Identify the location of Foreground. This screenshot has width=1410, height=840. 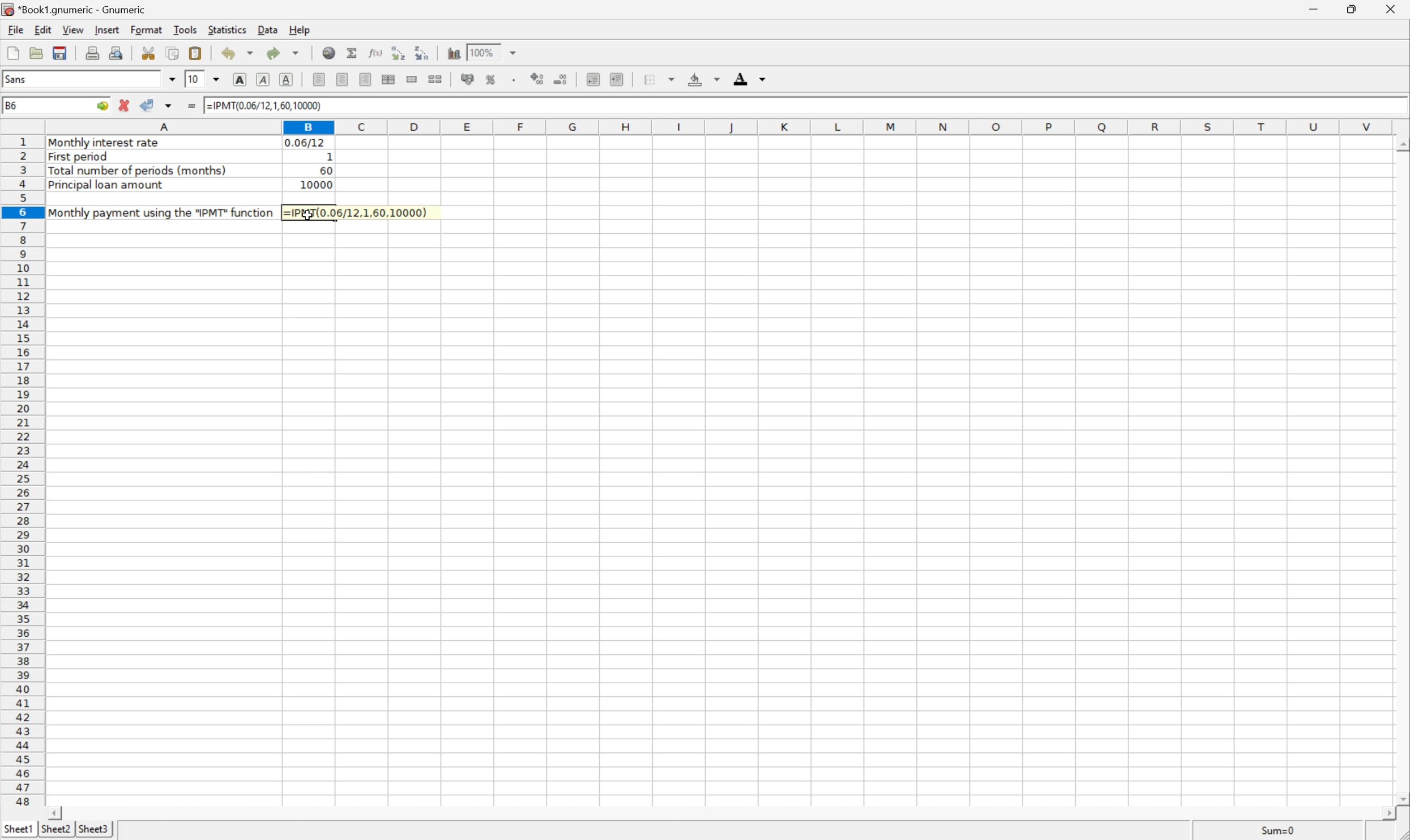
(748, 78).